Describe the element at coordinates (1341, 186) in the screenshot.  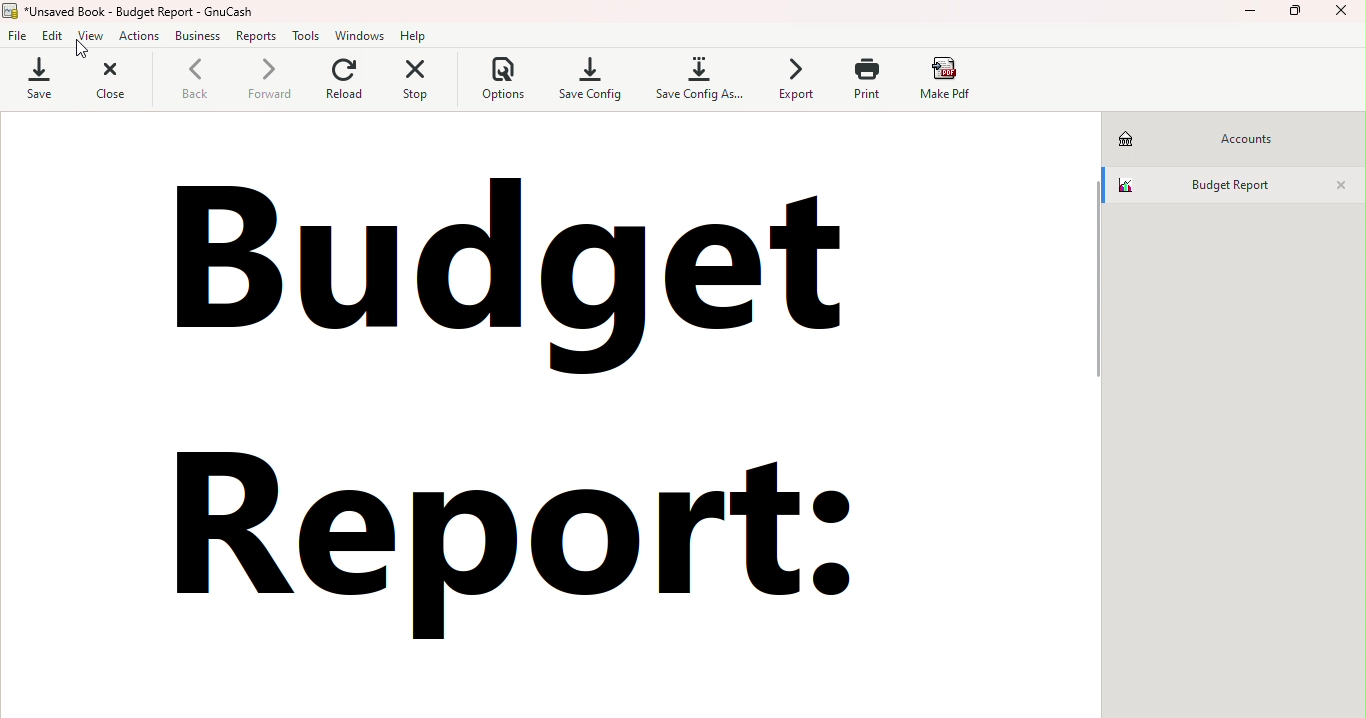
I see `Close` at that location.